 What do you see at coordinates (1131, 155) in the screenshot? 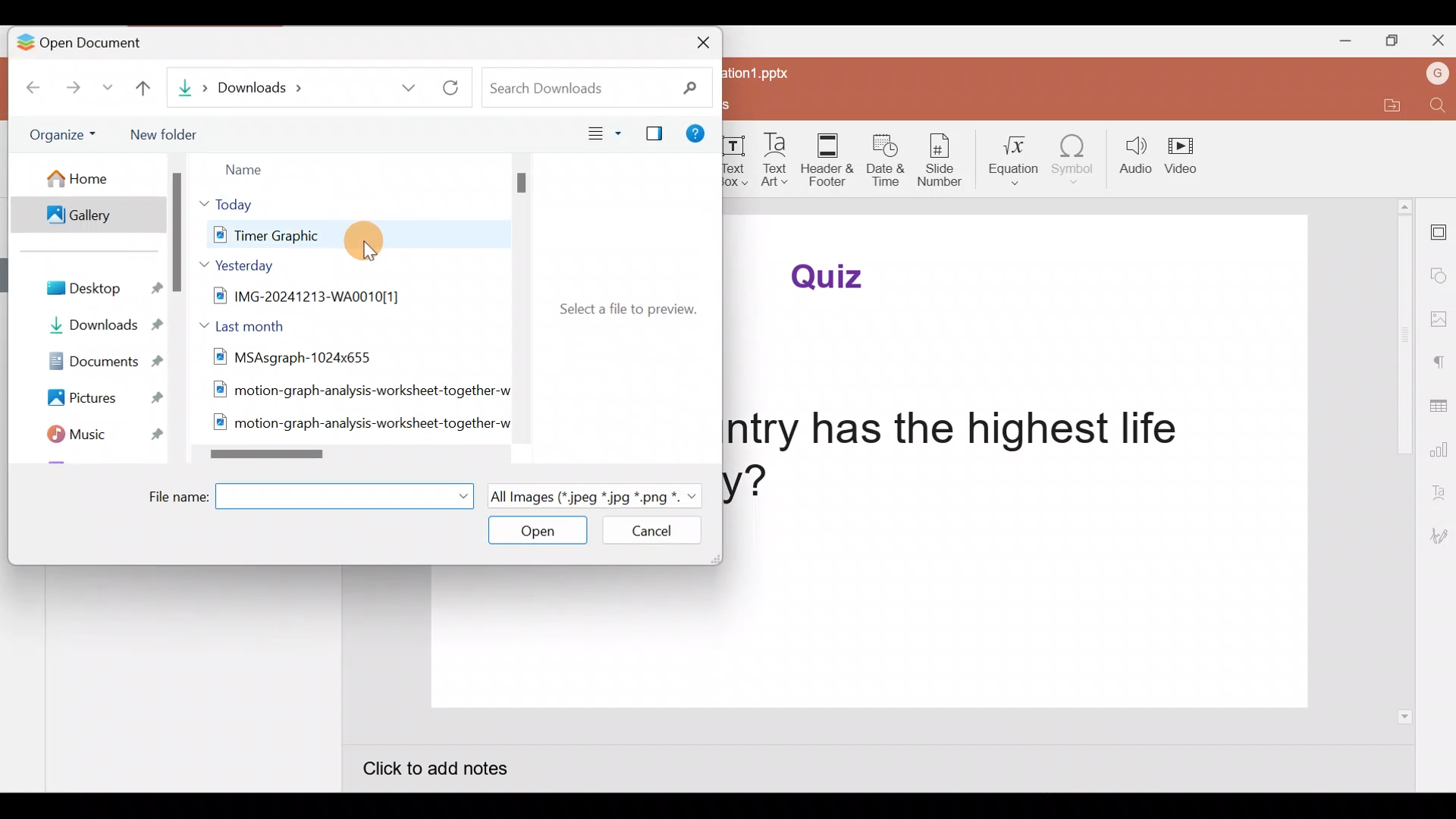
I see `Audio` at bounding box center [1131, 155].